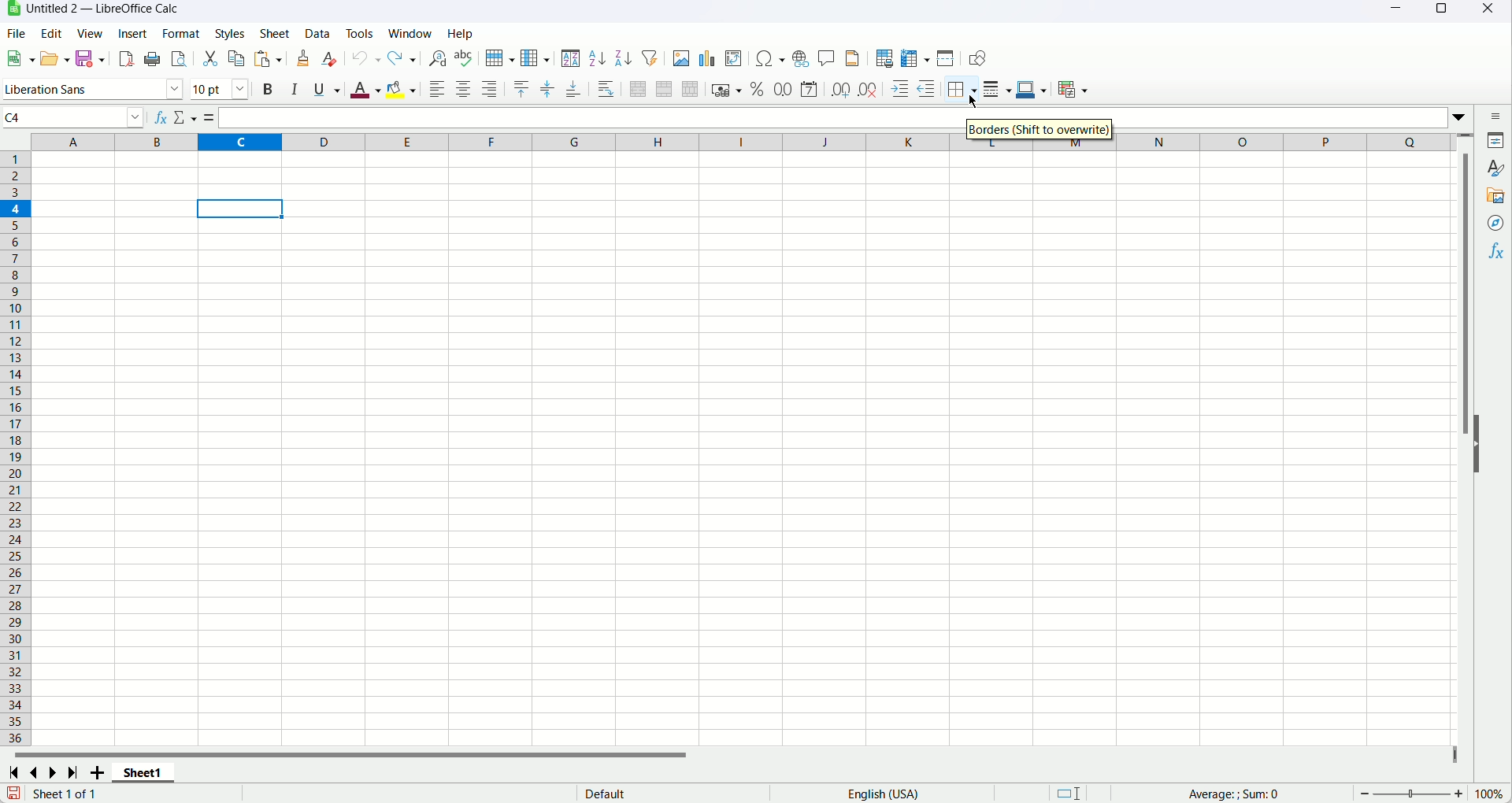 The width and height of the screenshot is (1512, 803). Describe the element at coordinates (1261, 794) in the screenshot. I see `Formula` at that location.